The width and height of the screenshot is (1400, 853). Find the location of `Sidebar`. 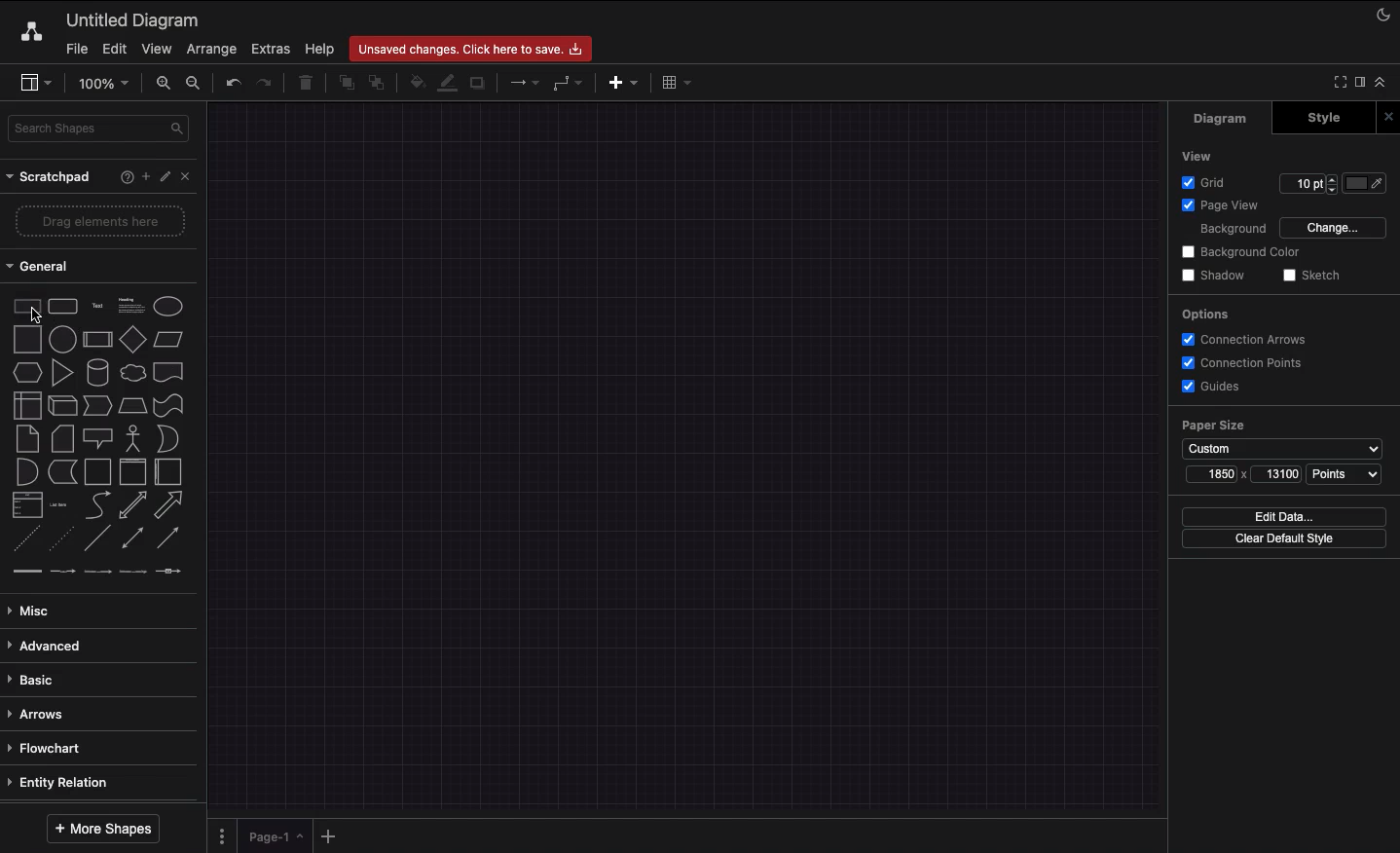

Sidebar is located at coordinates (35, 83).